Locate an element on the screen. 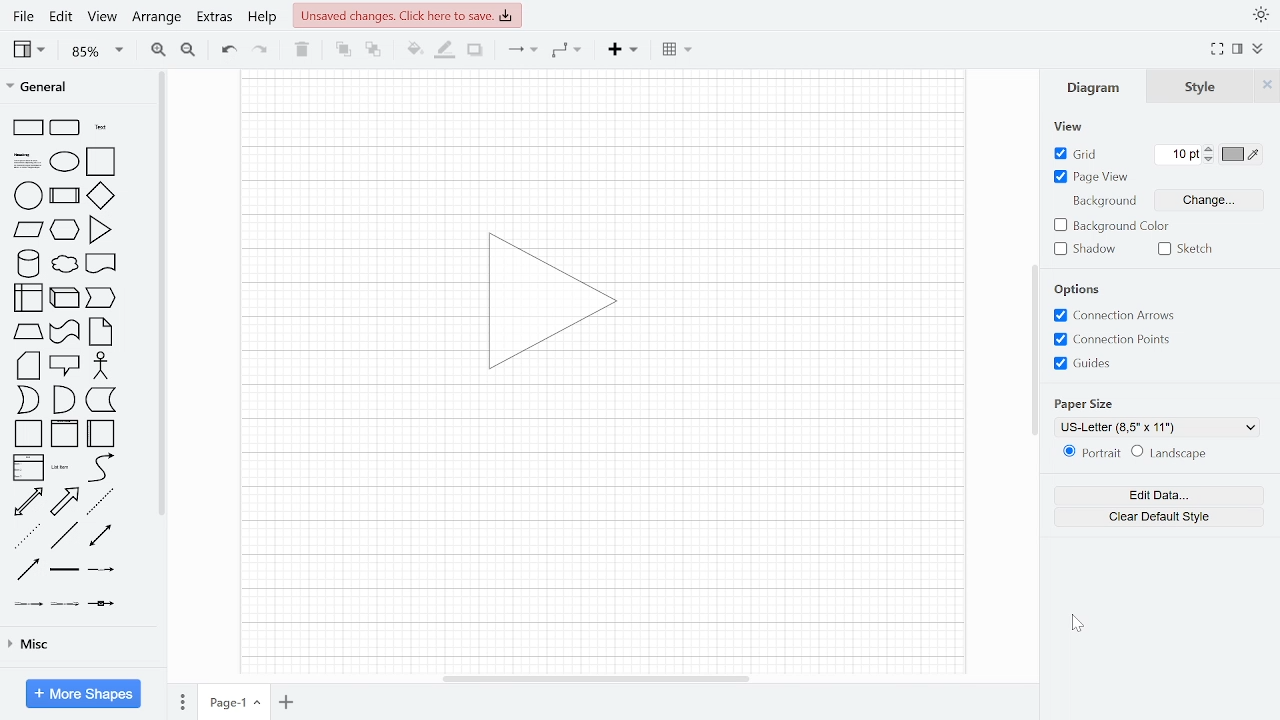 The height and width of the screenshot is (720, 1280). Diamond is located at coordinates (100, 195).